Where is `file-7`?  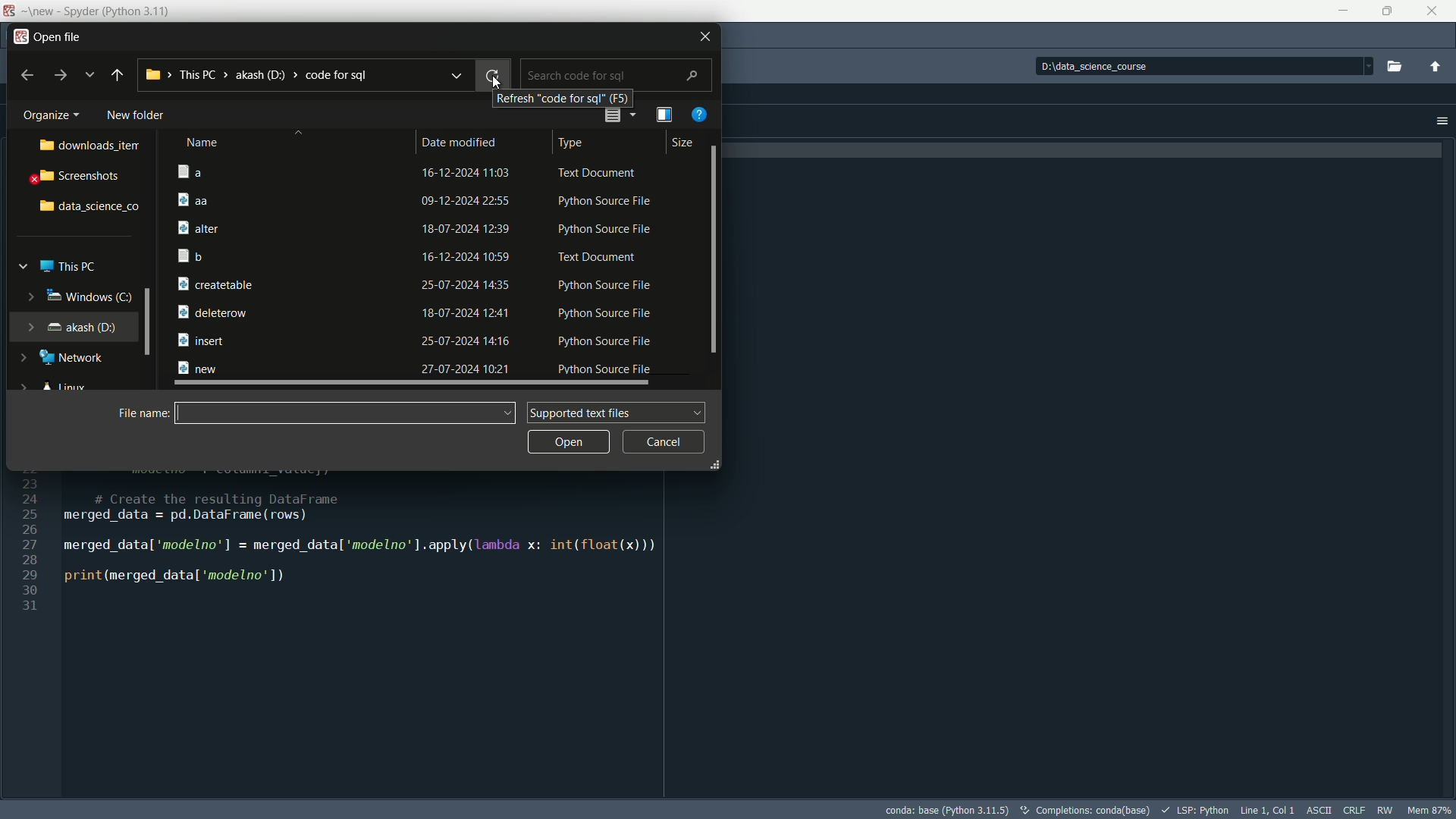 file-7 is located at coordinates (415, 340).